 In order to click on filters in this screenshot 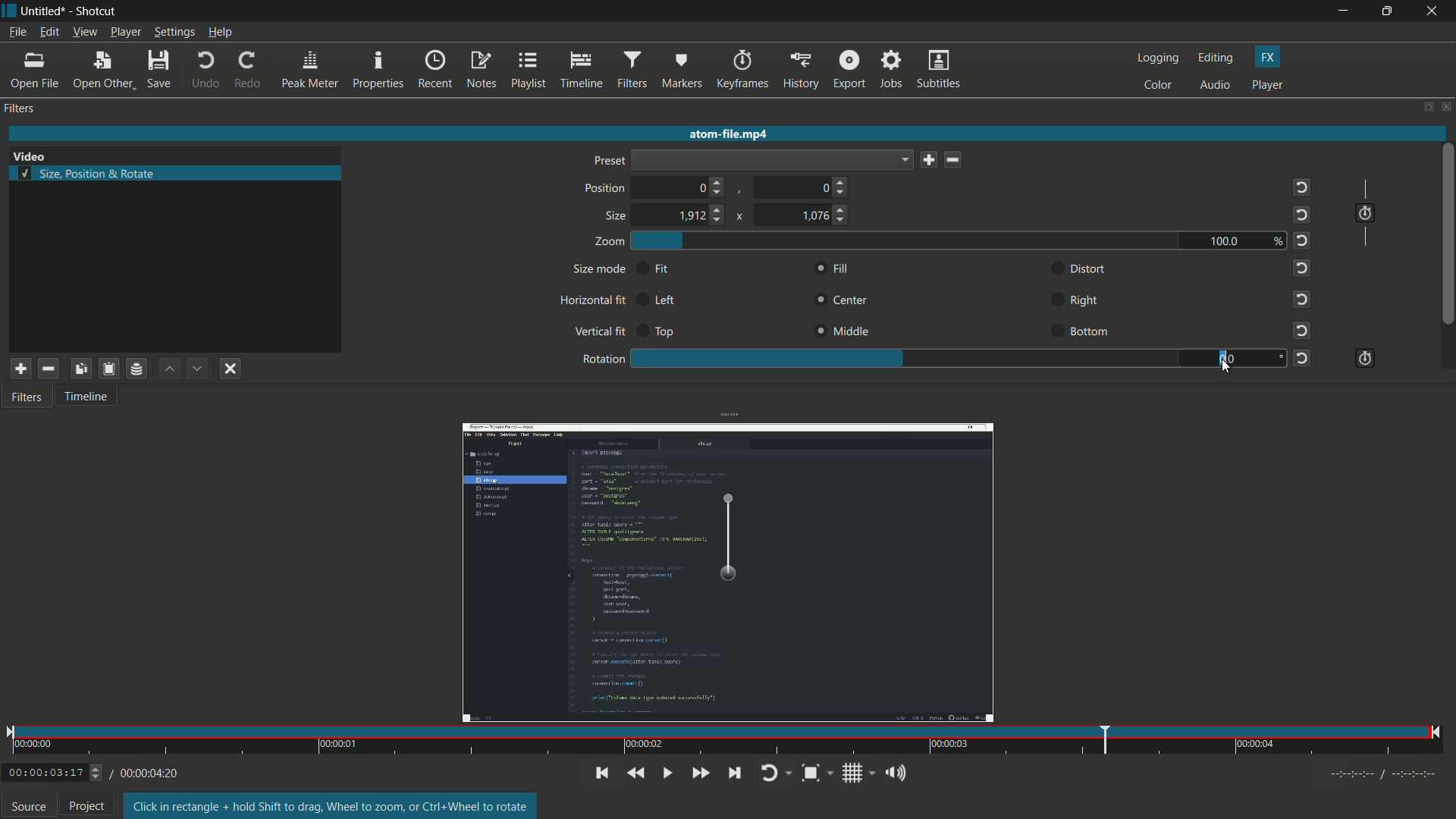, I will do `click(20, 108)`.